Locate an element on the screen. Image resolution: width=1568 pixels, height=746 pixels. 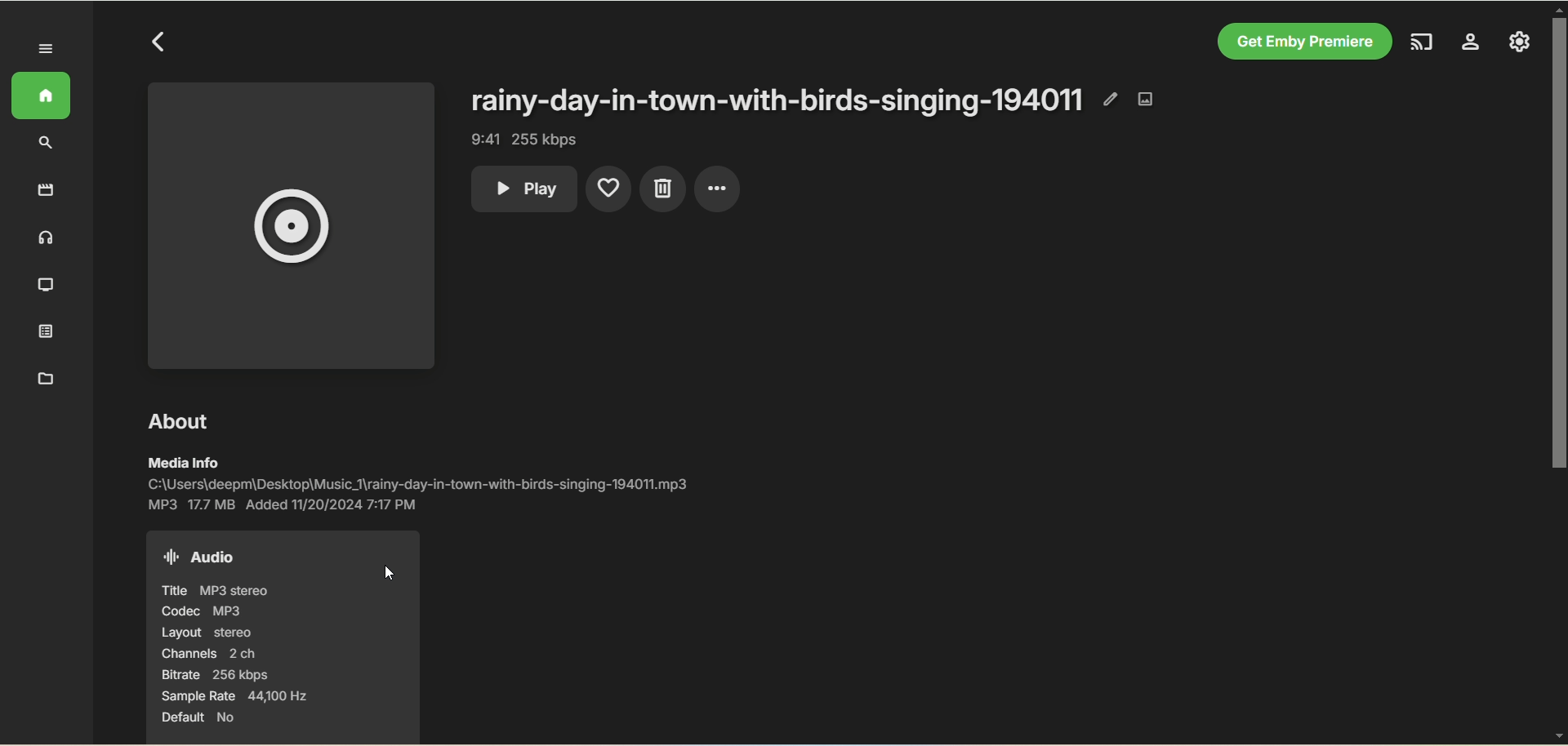
TV shows is located at coordinates (43, 283).